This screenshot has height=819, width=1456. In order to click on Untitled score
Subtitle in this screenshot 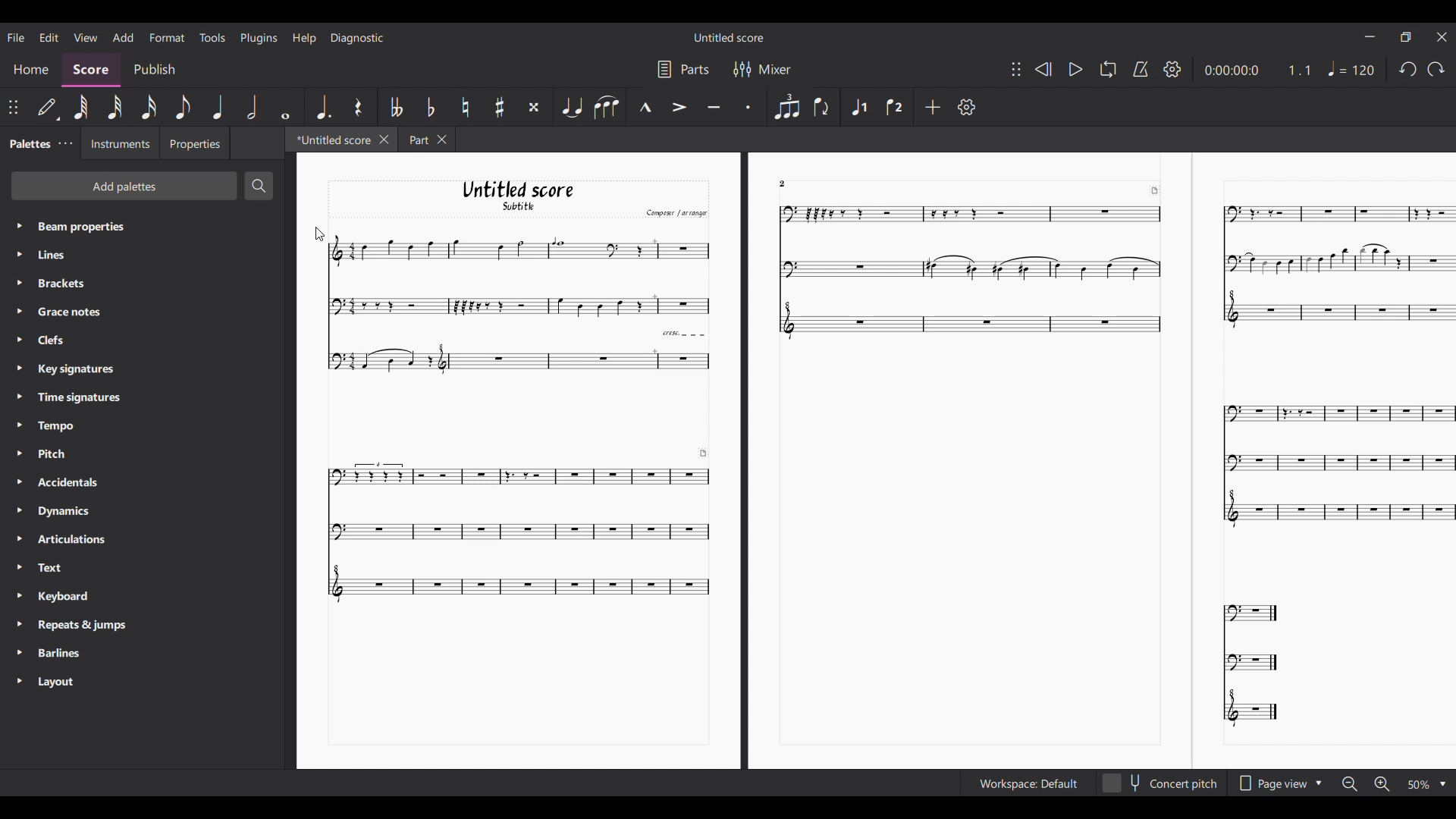, I will do `click(516, 196)`.